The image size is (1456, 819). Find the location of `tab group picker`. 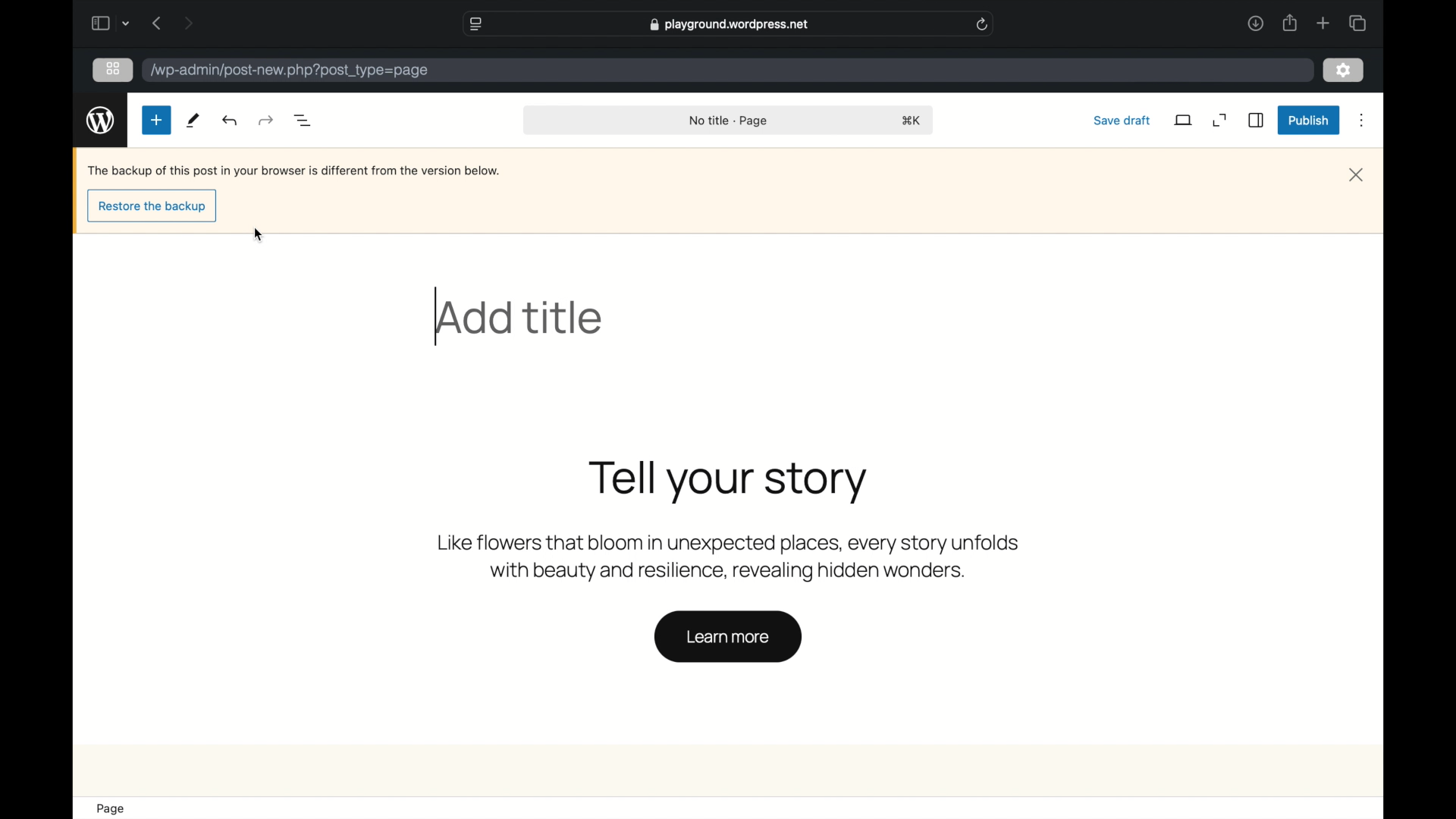

tab group picker is located at coordinates (1357, 23).